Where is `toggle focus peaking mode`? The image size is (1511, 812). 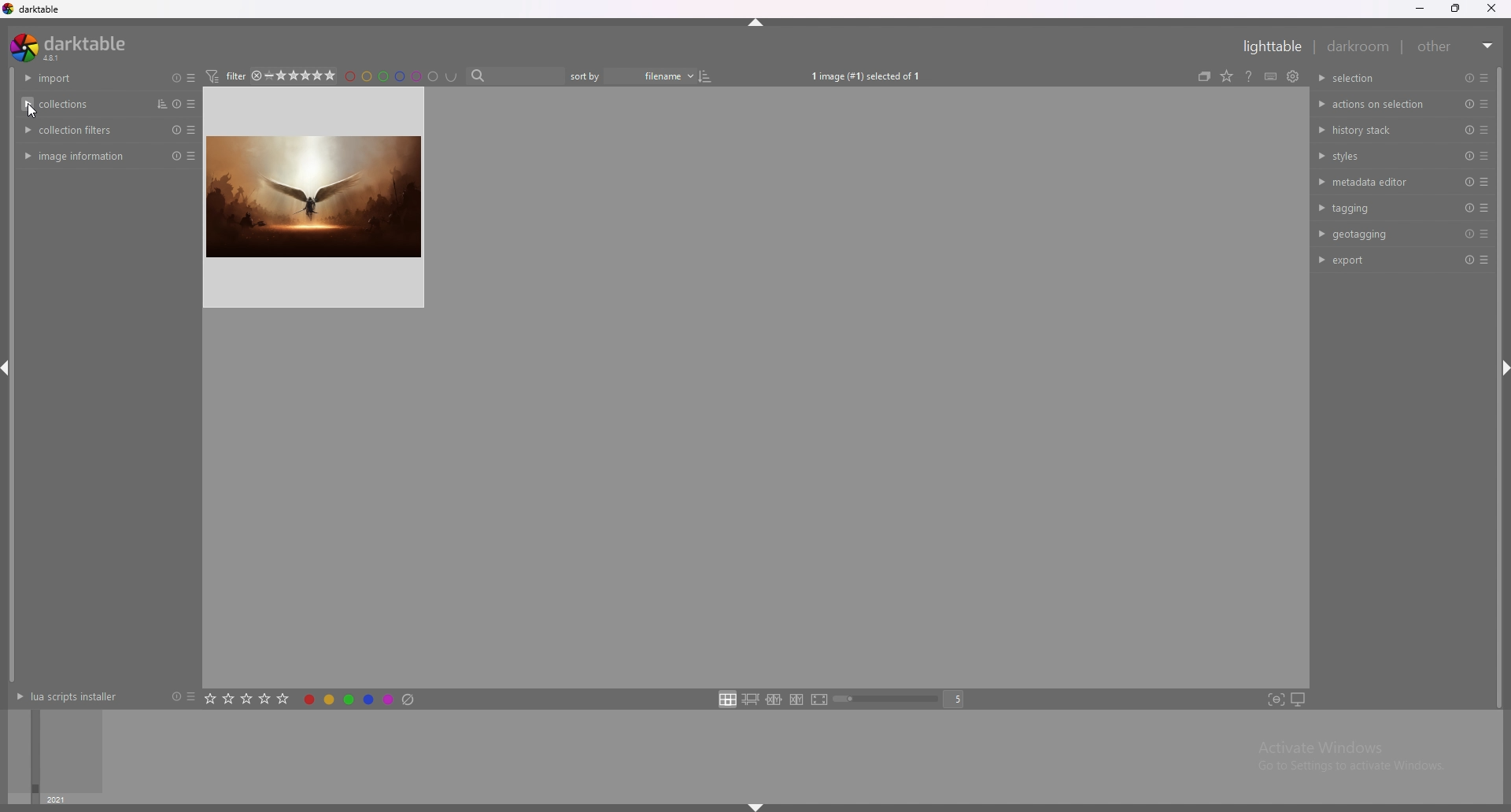 toggle focus peaking mode is located at coordinates (1276, 699).